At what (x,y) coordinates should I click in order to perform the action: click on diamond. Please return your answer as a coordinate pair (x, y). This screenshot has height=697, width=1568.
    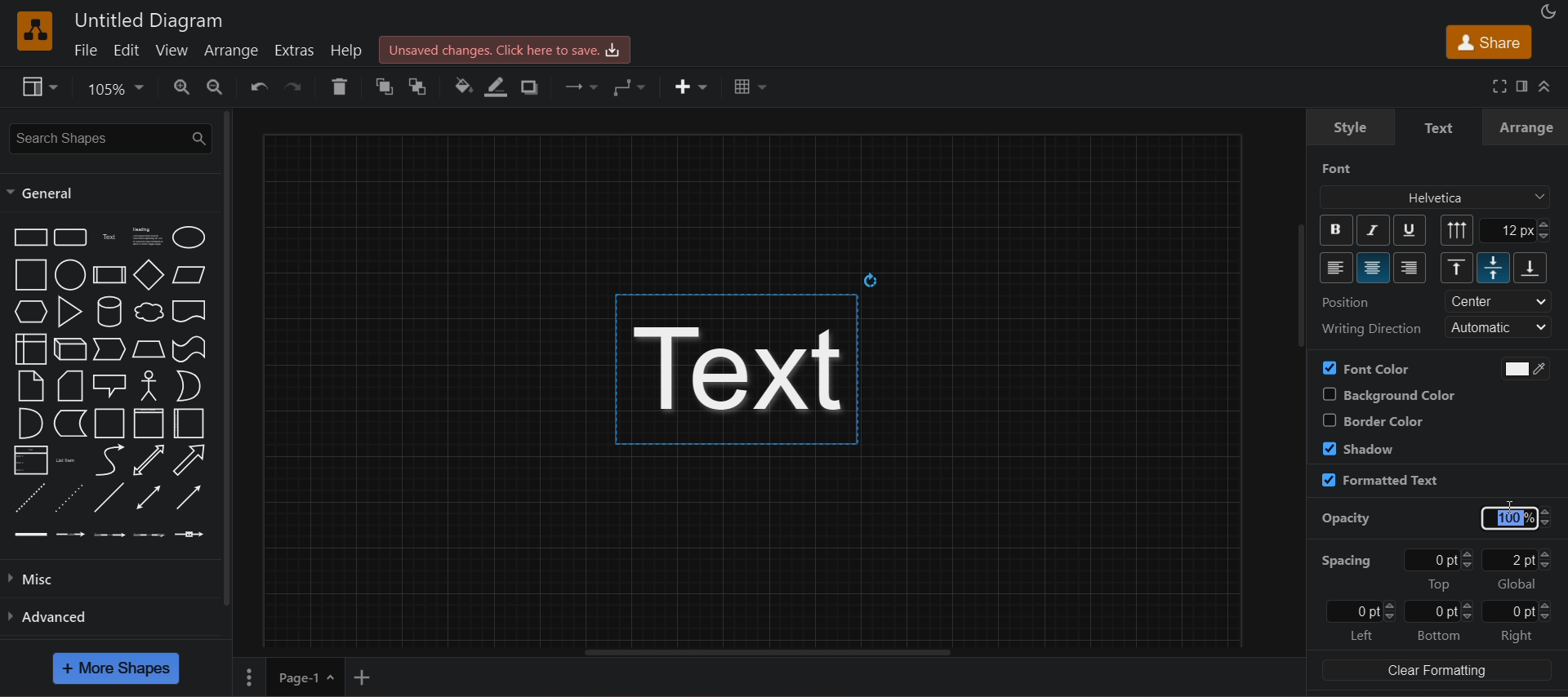
    Looking at the image, I should click on (149, 275).